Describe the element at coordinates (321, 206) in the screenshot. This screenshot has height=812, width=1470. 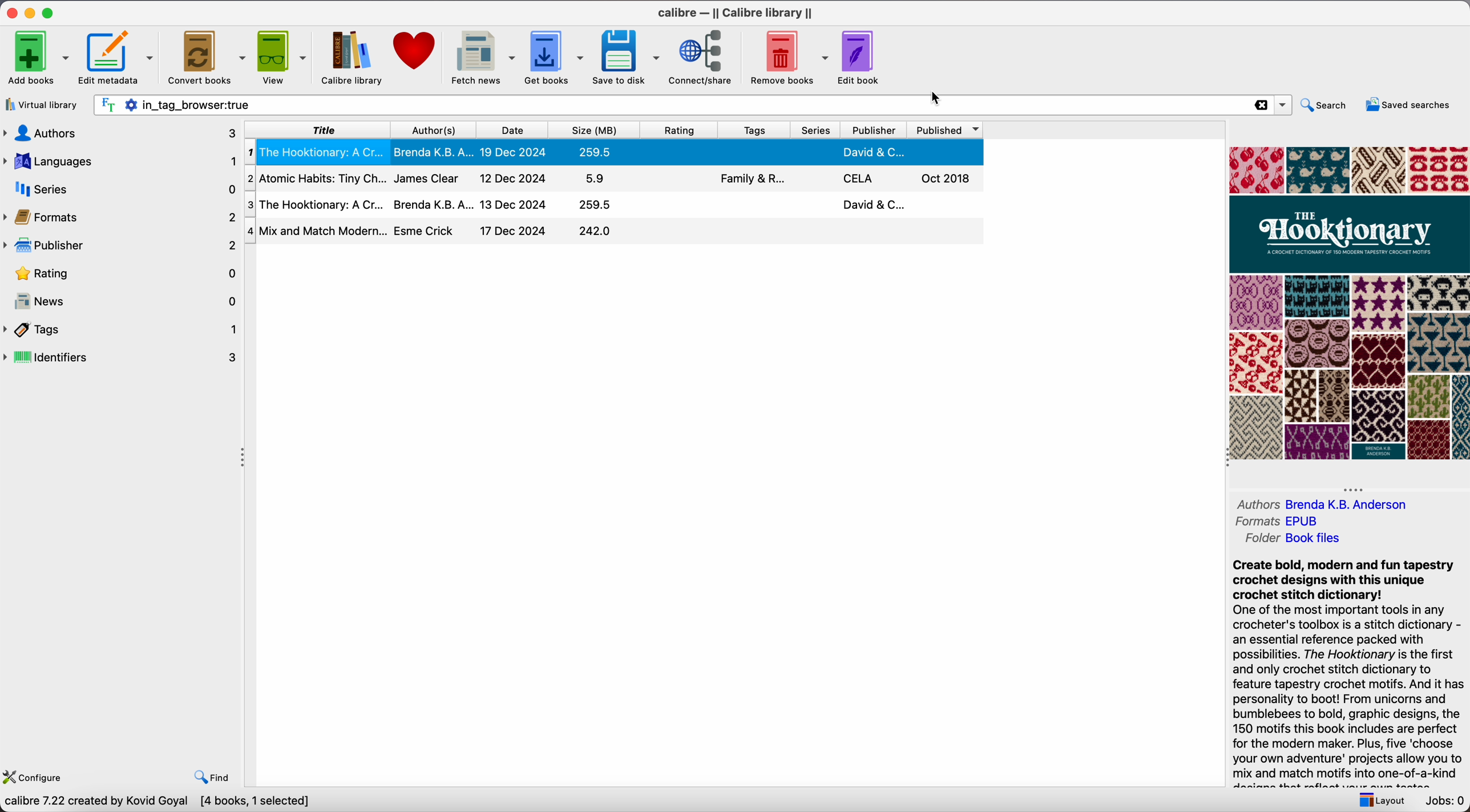
I see `The Hooktionary: A Cr..` at that location.